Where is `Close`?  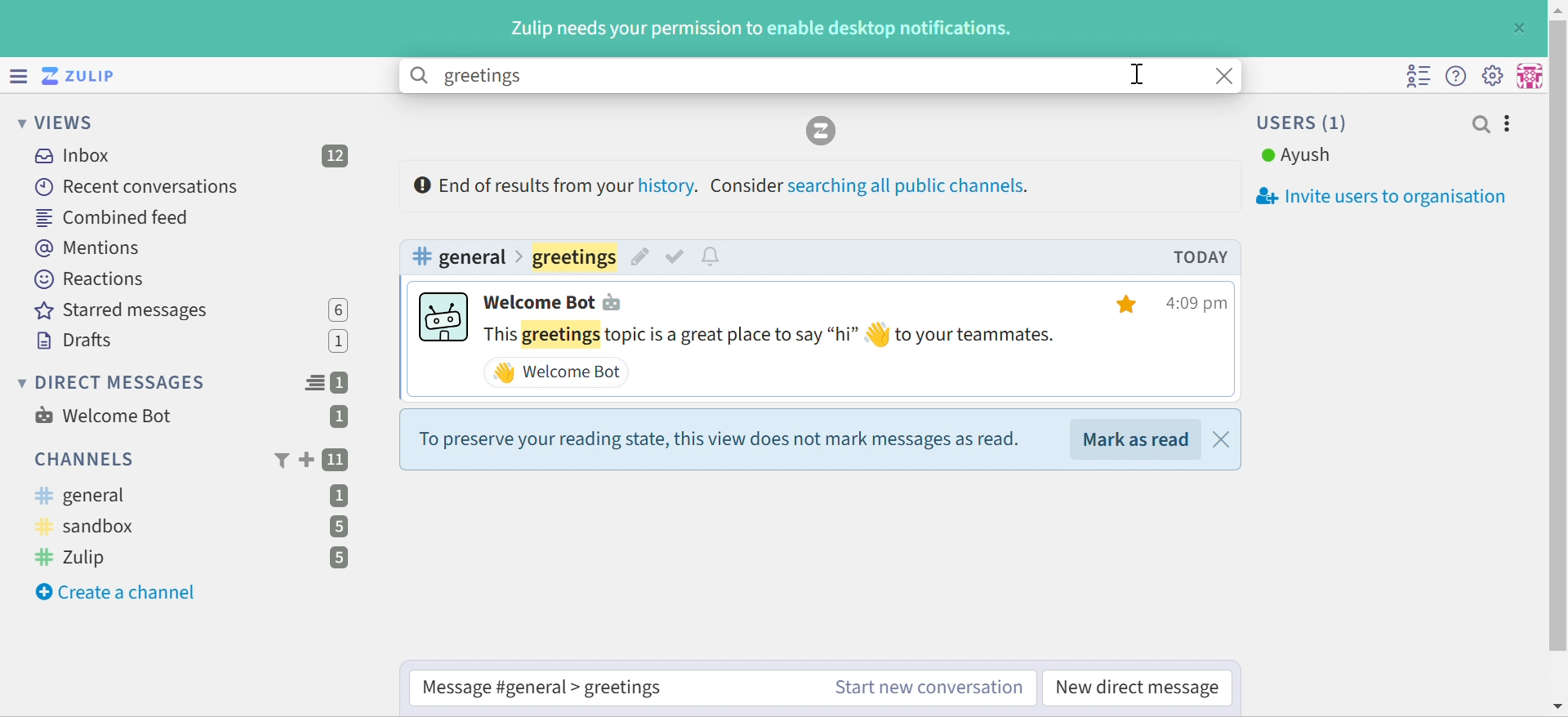
Close is located at coordinates (1221, 441).